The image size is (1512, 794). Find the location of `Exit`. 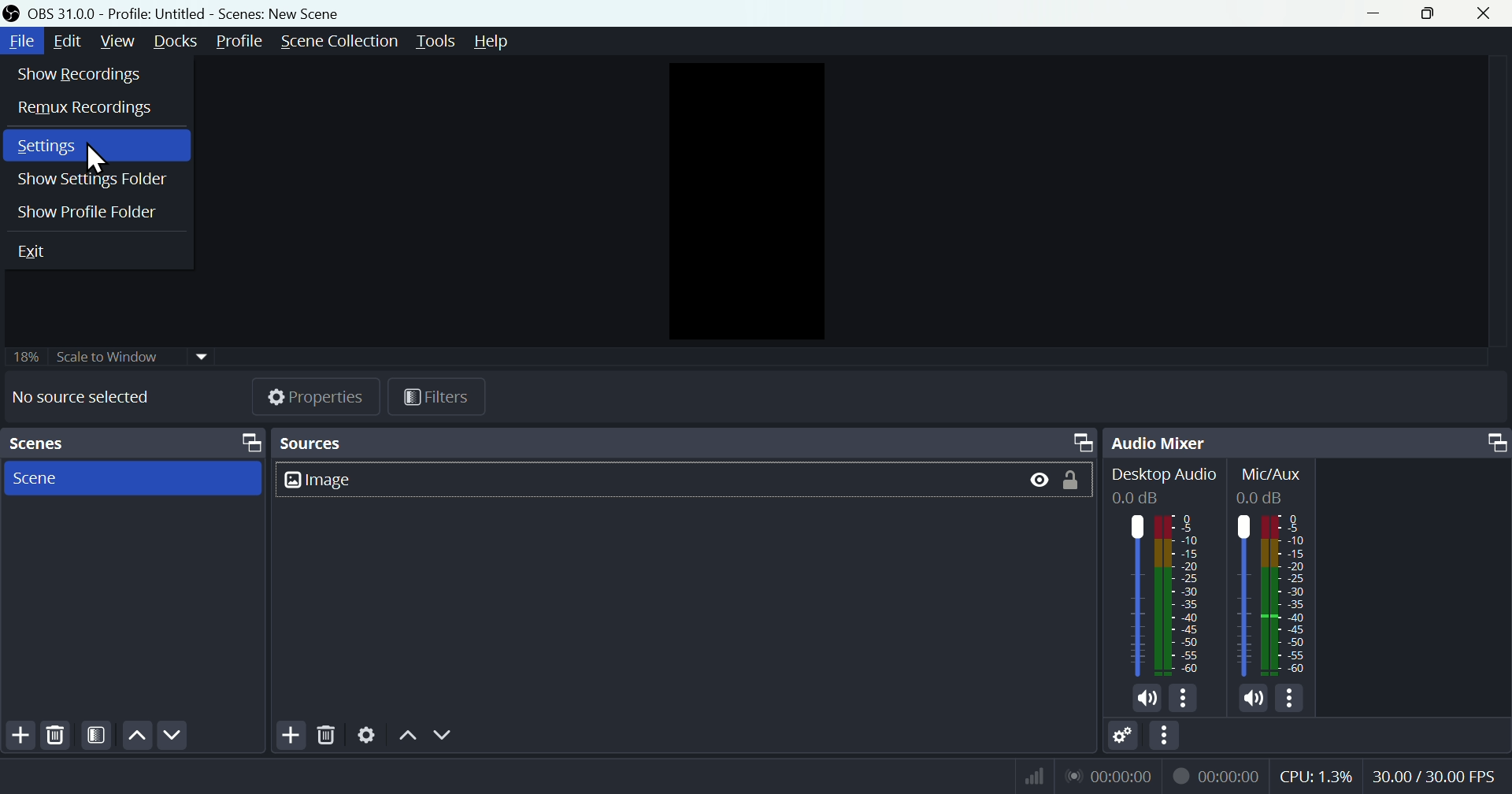

Exit is located at coordinates (35, 254).